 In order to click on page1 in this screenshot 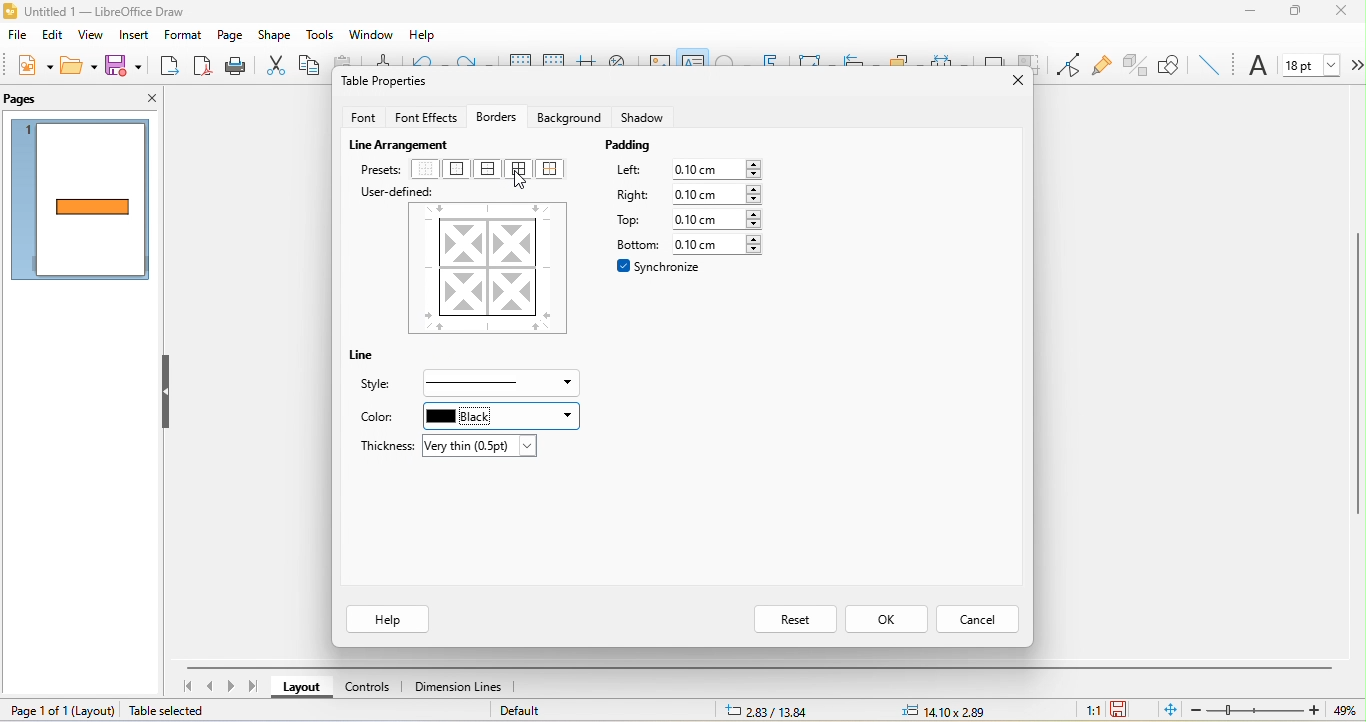, I will do `click(82, 202)`.